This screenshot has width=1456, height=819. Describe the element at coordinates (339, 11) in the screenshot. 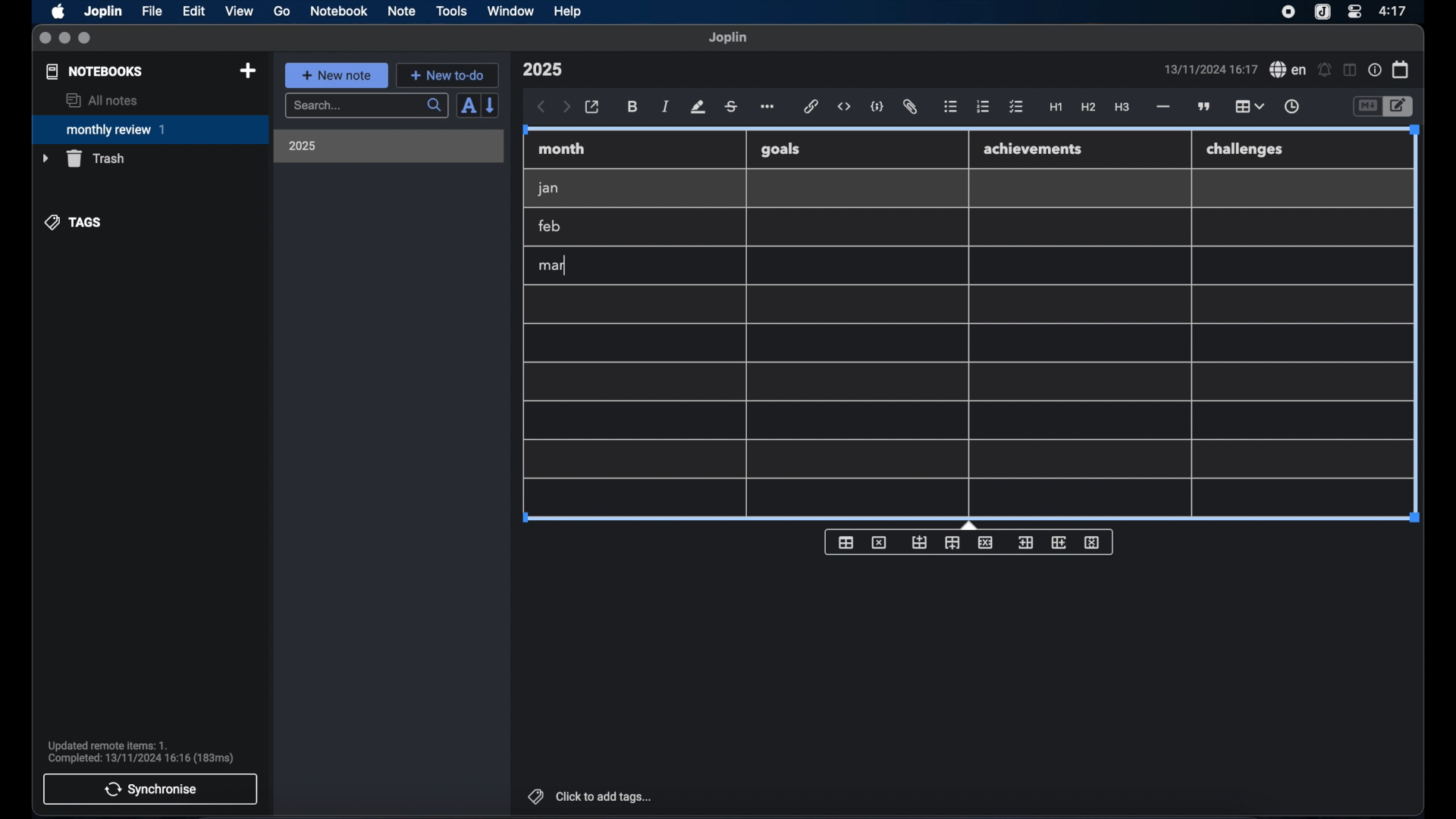

I see `notebook` at that location.